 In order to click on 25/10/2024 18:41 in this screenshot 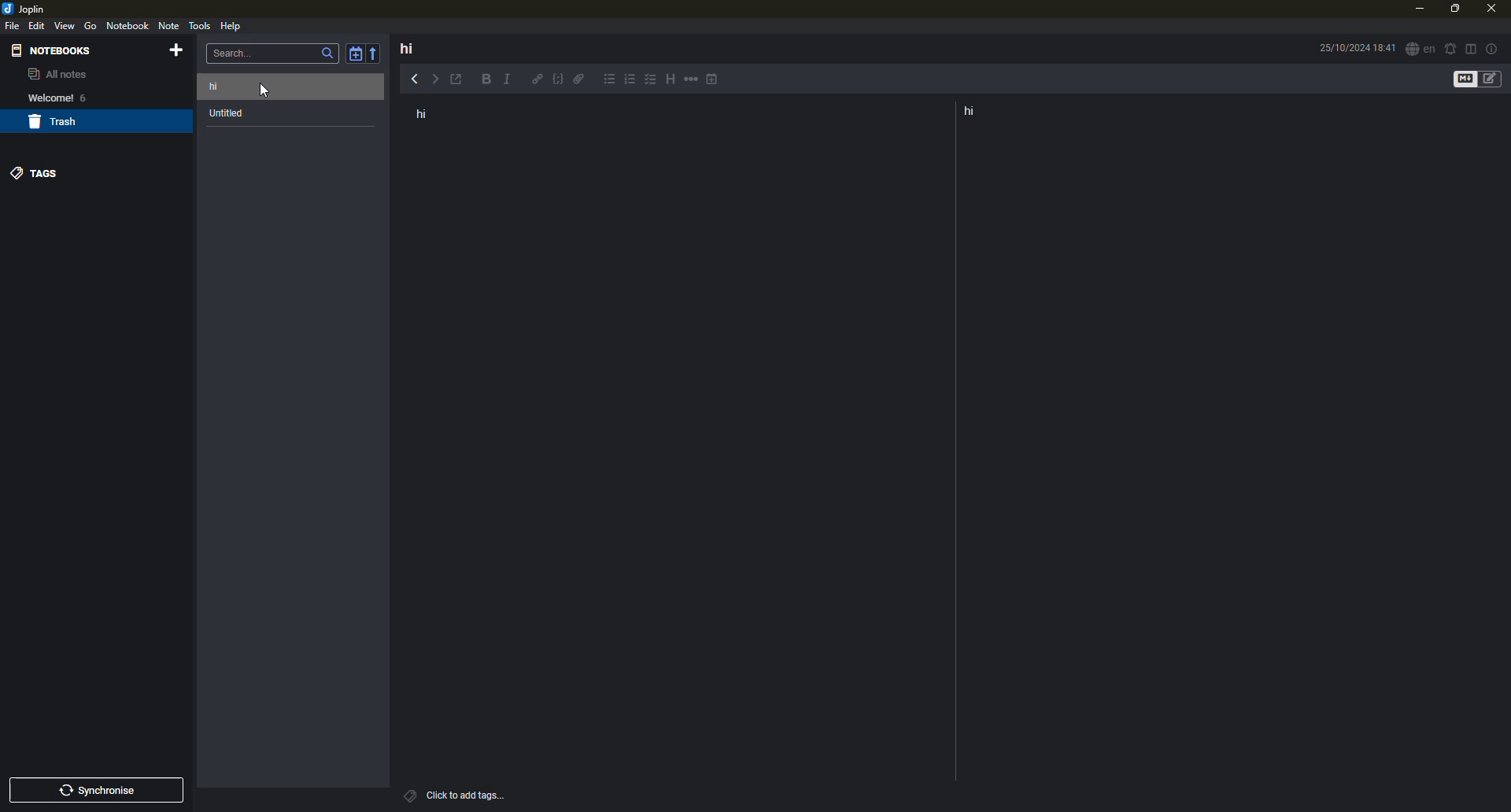, I will do `click(1358, 48)`.